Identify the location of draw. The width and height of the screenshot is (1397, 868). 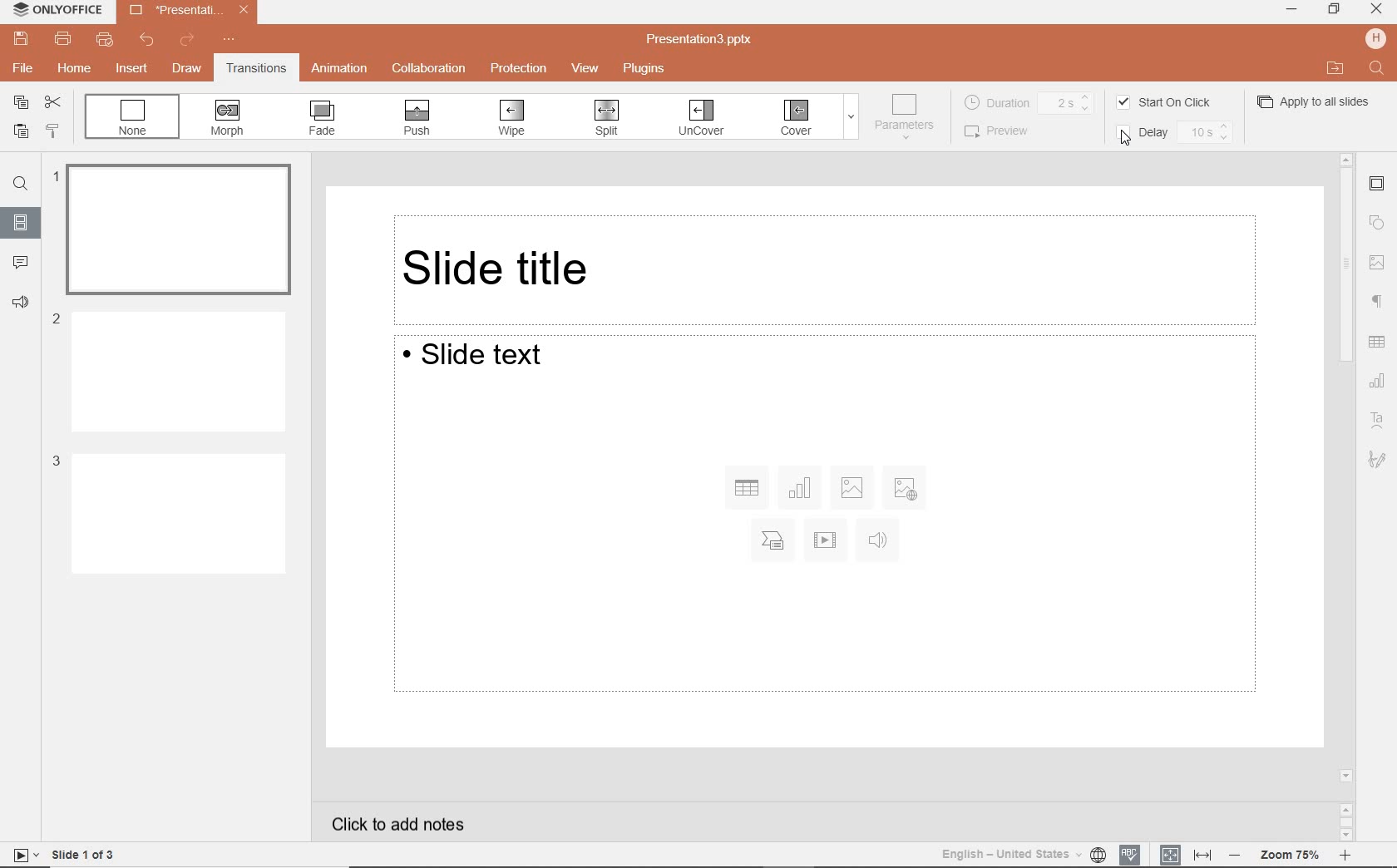
(188, 70).